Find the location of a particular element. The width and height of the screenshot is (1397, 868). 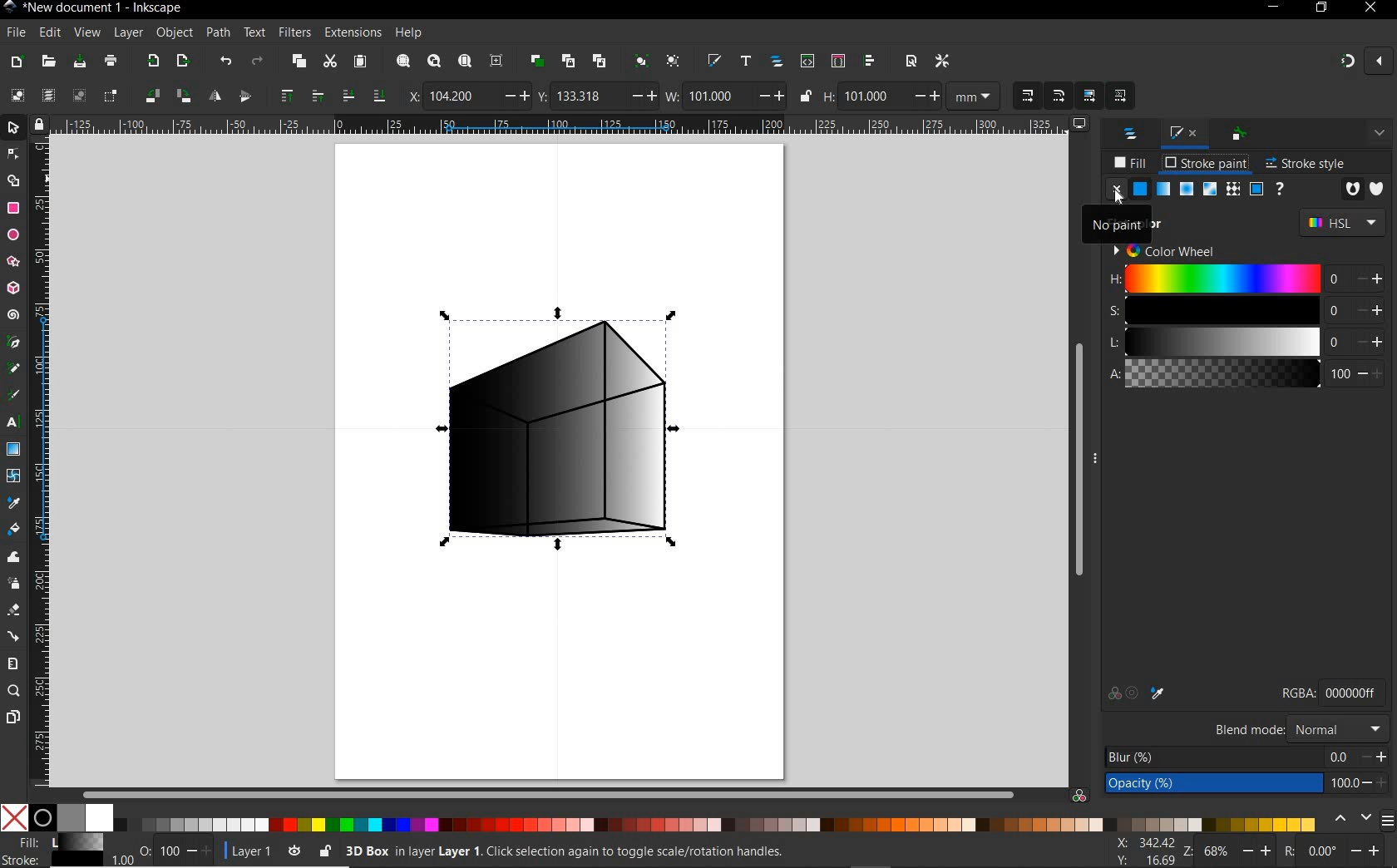

cursor is located at coordinates (1118, 200).